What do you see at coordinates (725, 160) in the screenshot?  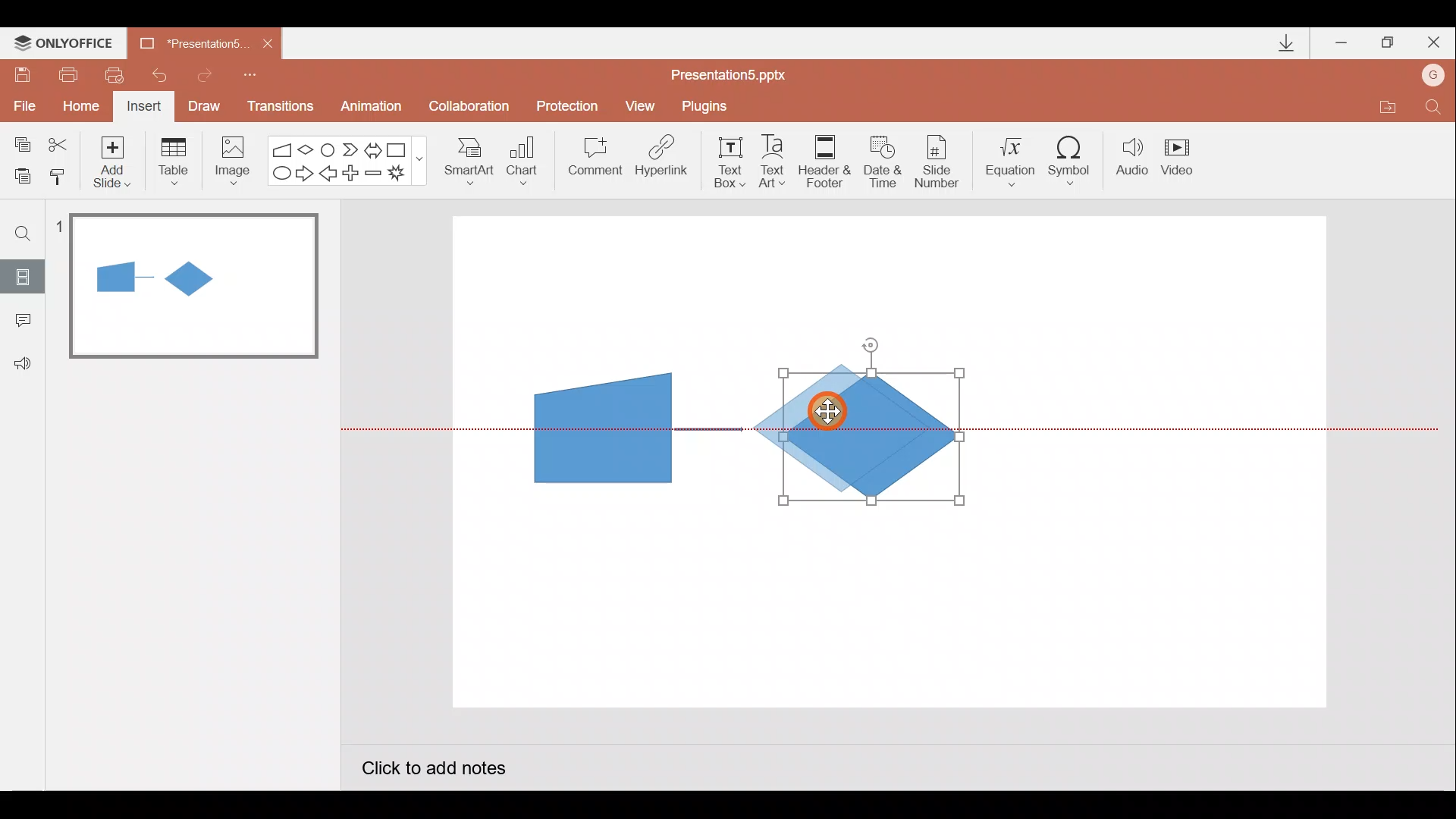 I see `Text box` at bounding box center [725, 160].